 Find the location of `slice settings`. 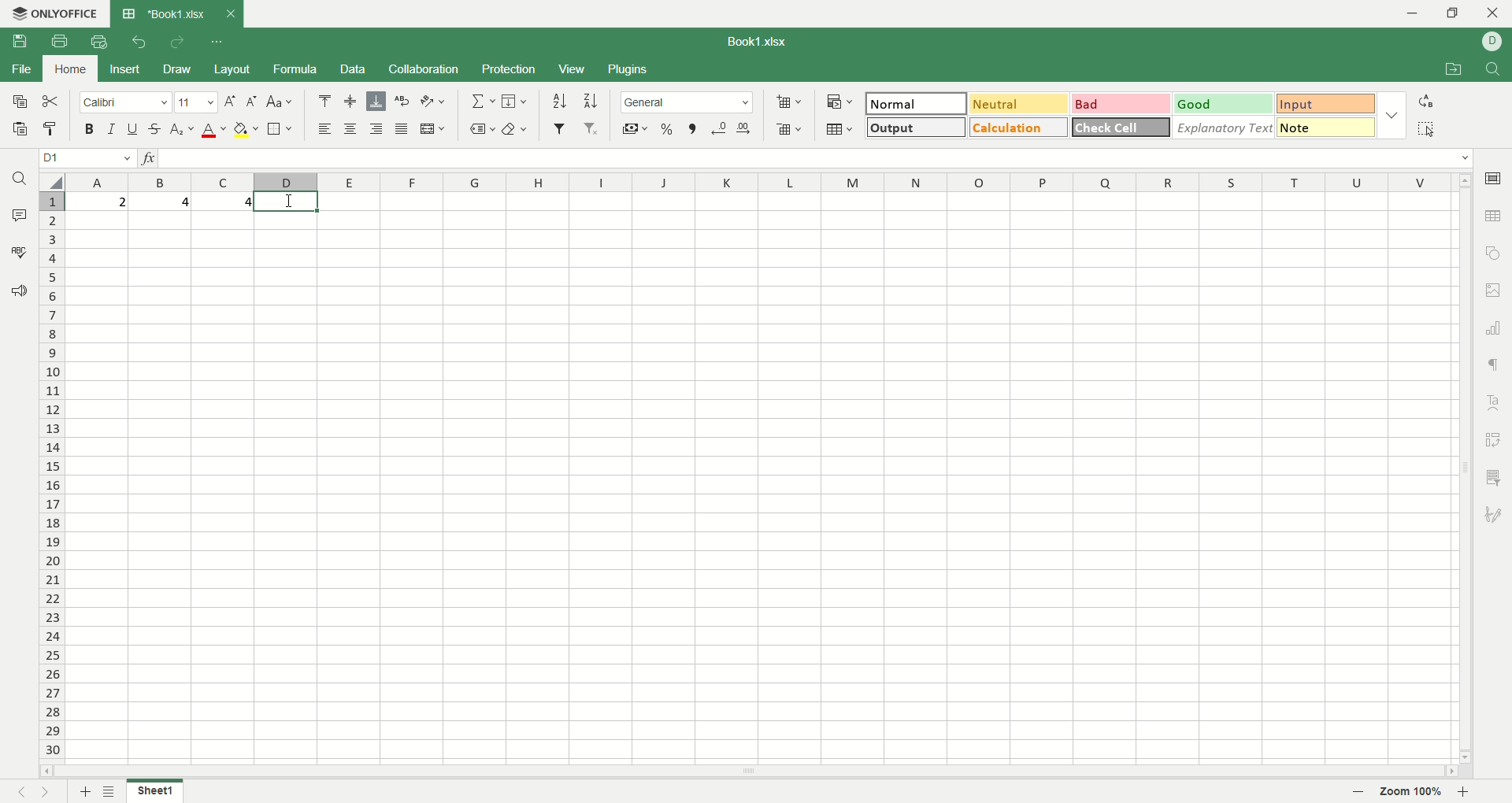

slice settings is located at coordinates (1494, 481).